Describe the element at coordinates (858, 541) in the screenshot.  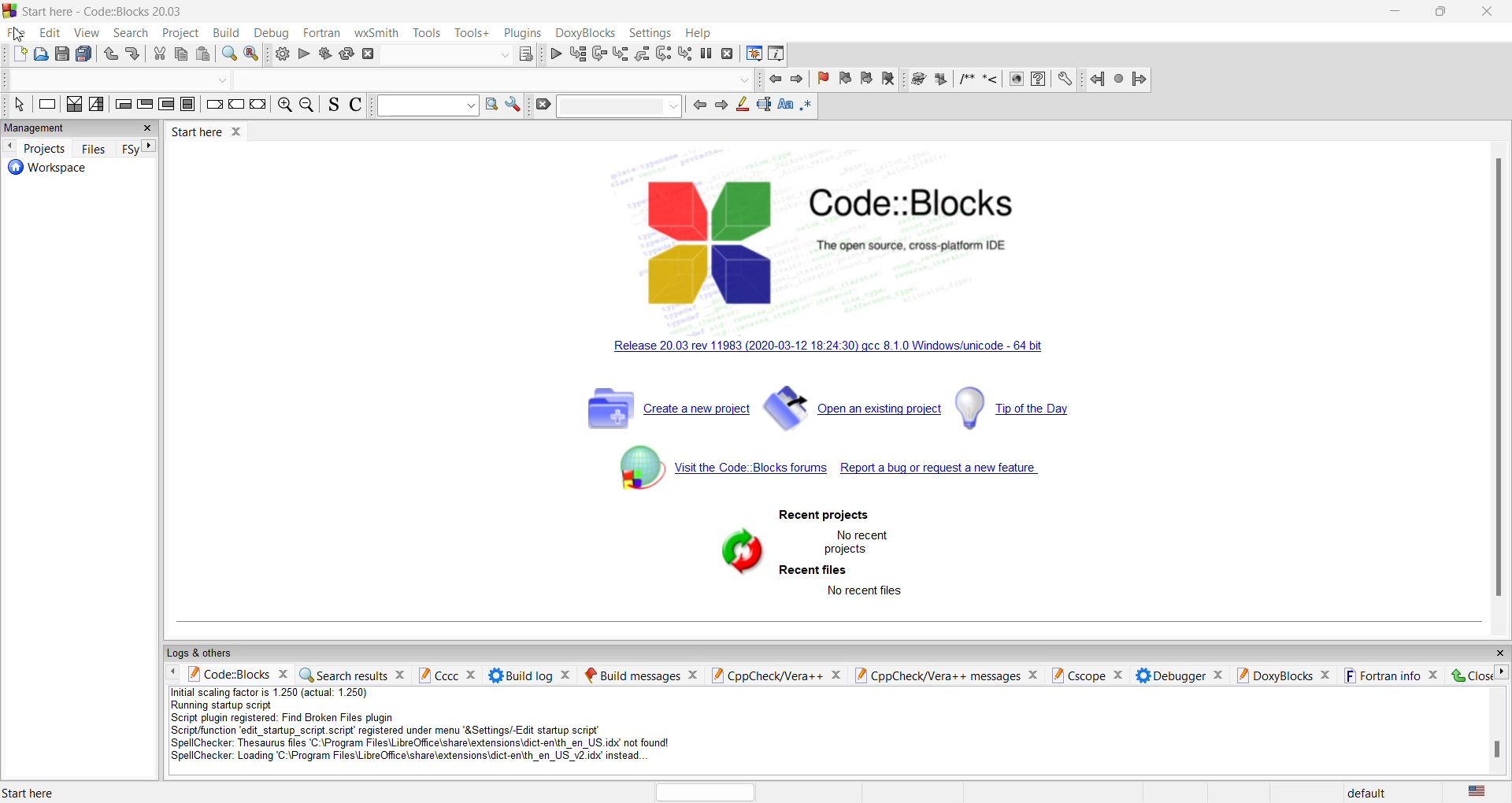
I see `no recent project` at that location.